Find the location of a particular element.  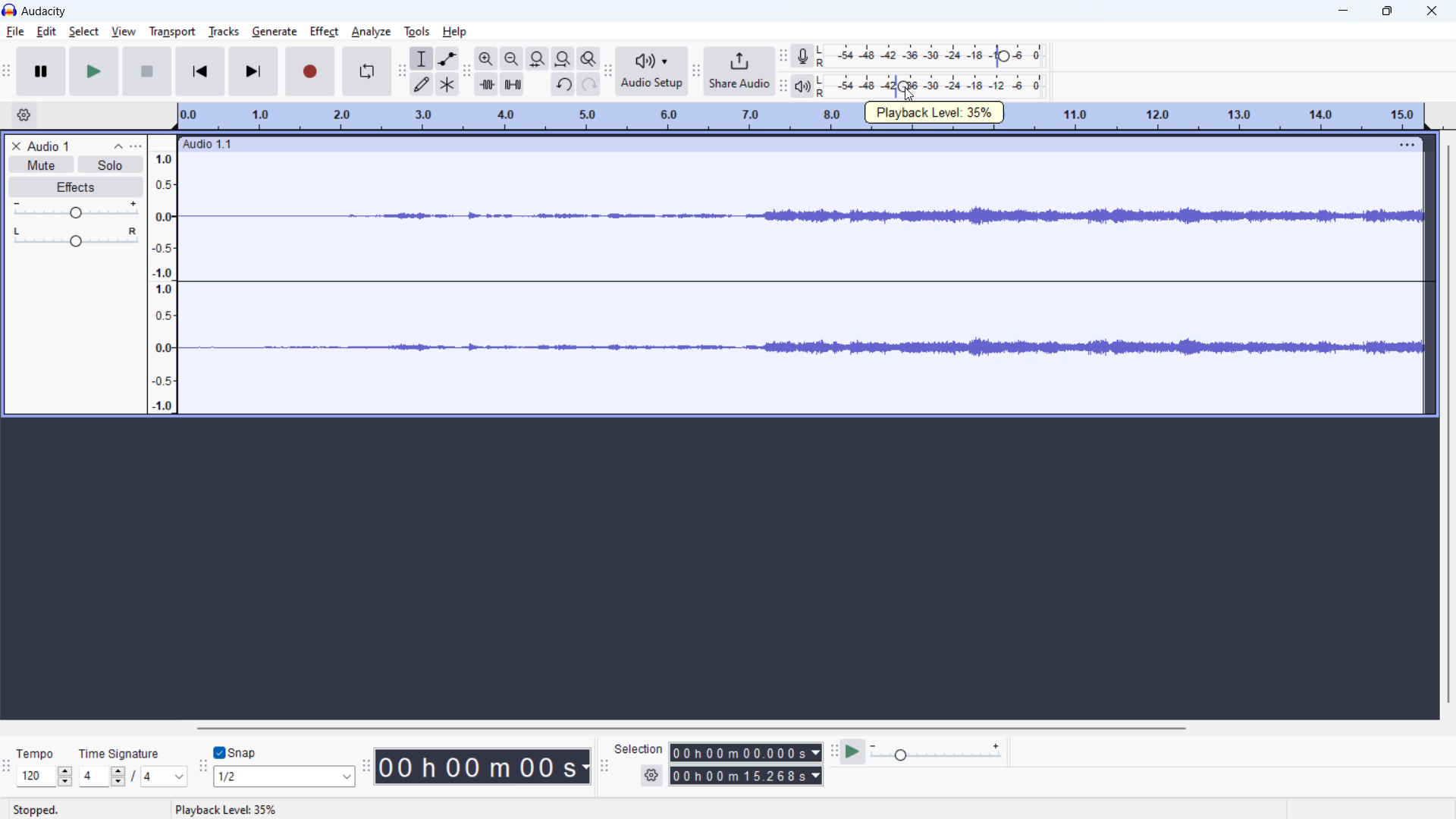

cursor is located at coordinates (910, 95).